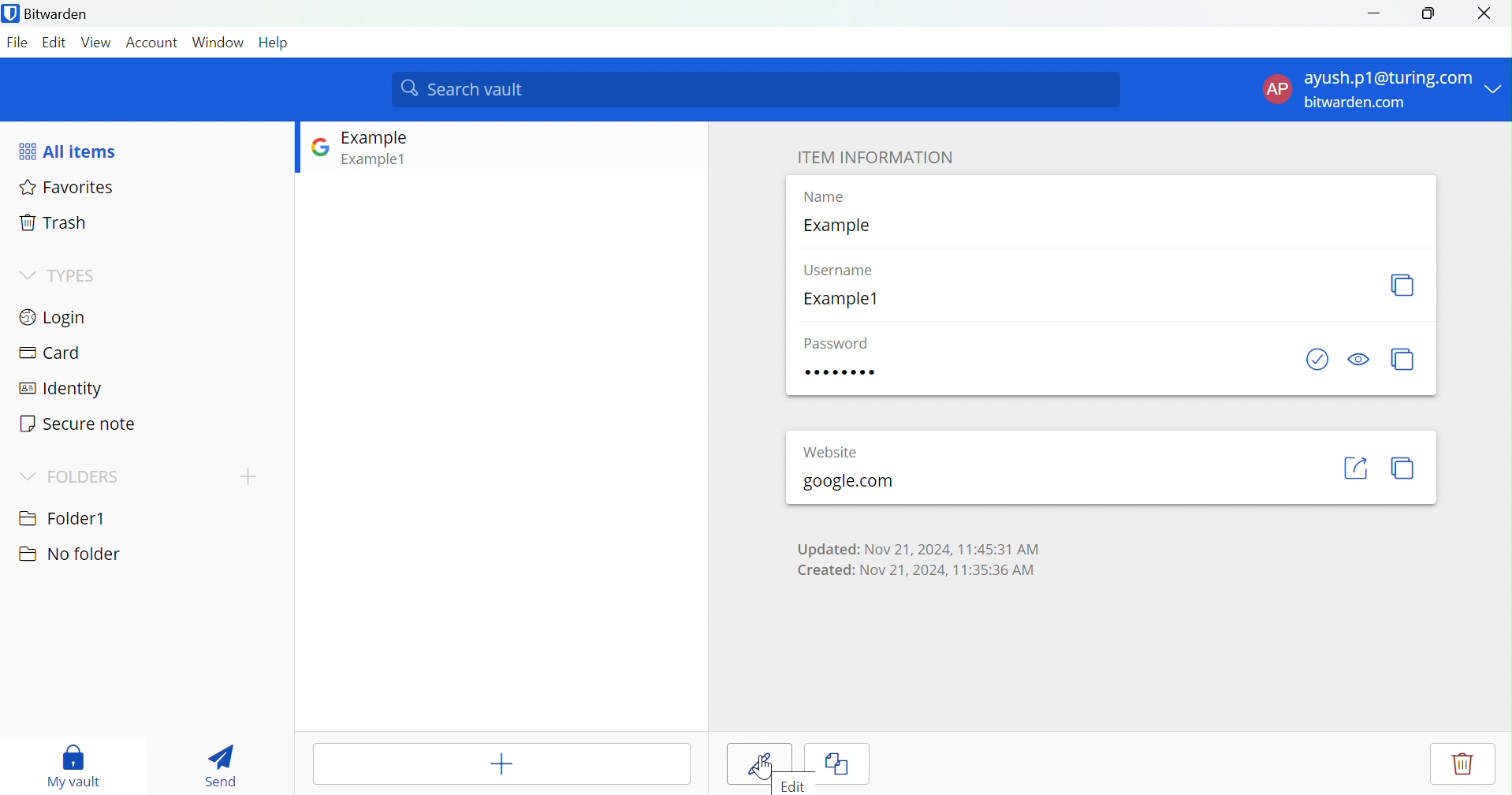  I want to click on Edit, so click(795, 786).